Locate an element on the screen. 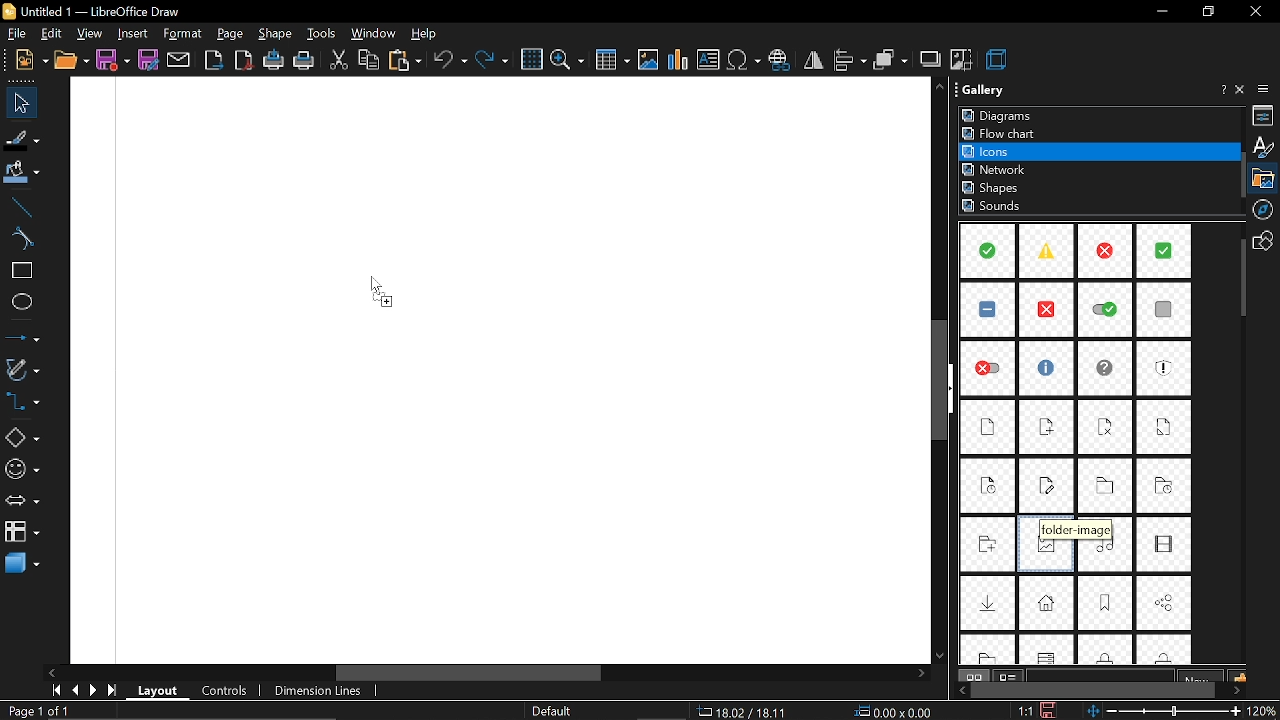  arrows is located at coordinates (20, 503).